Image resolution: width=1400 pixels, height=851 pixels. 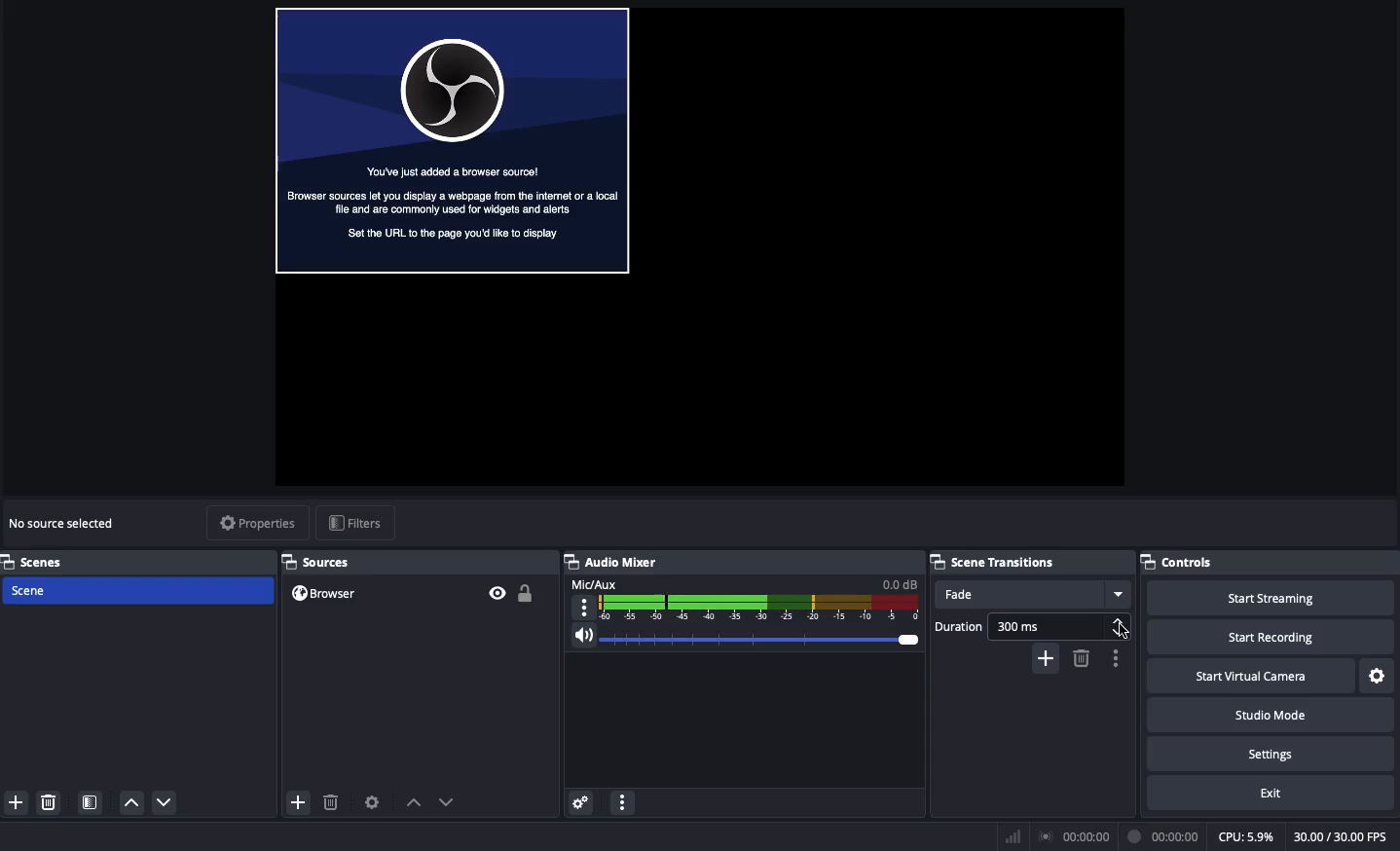 I want to click on Settings, so click(x=1274, y=755).